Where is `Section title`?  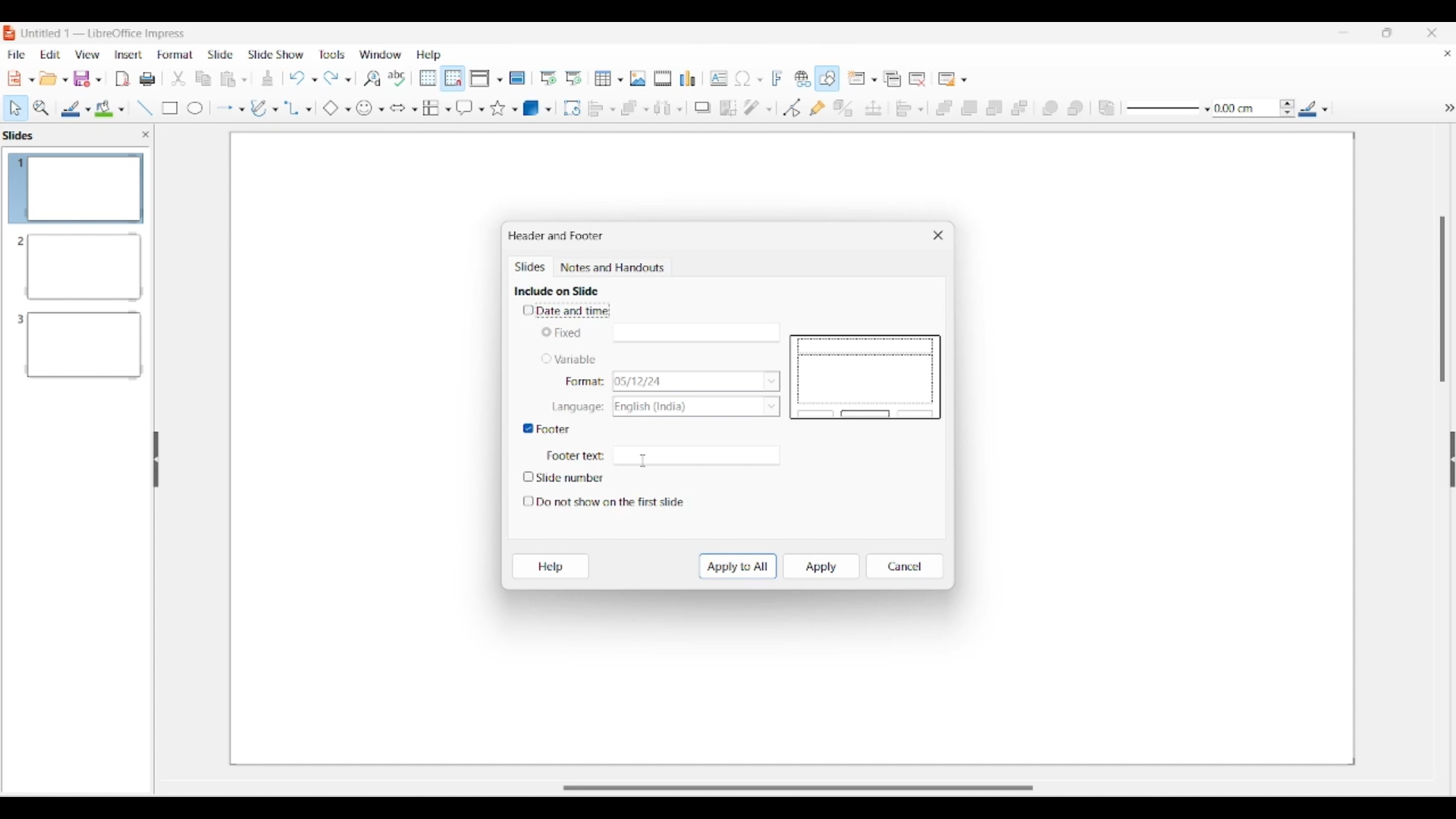
Section title is located at coordinates (556, 290).